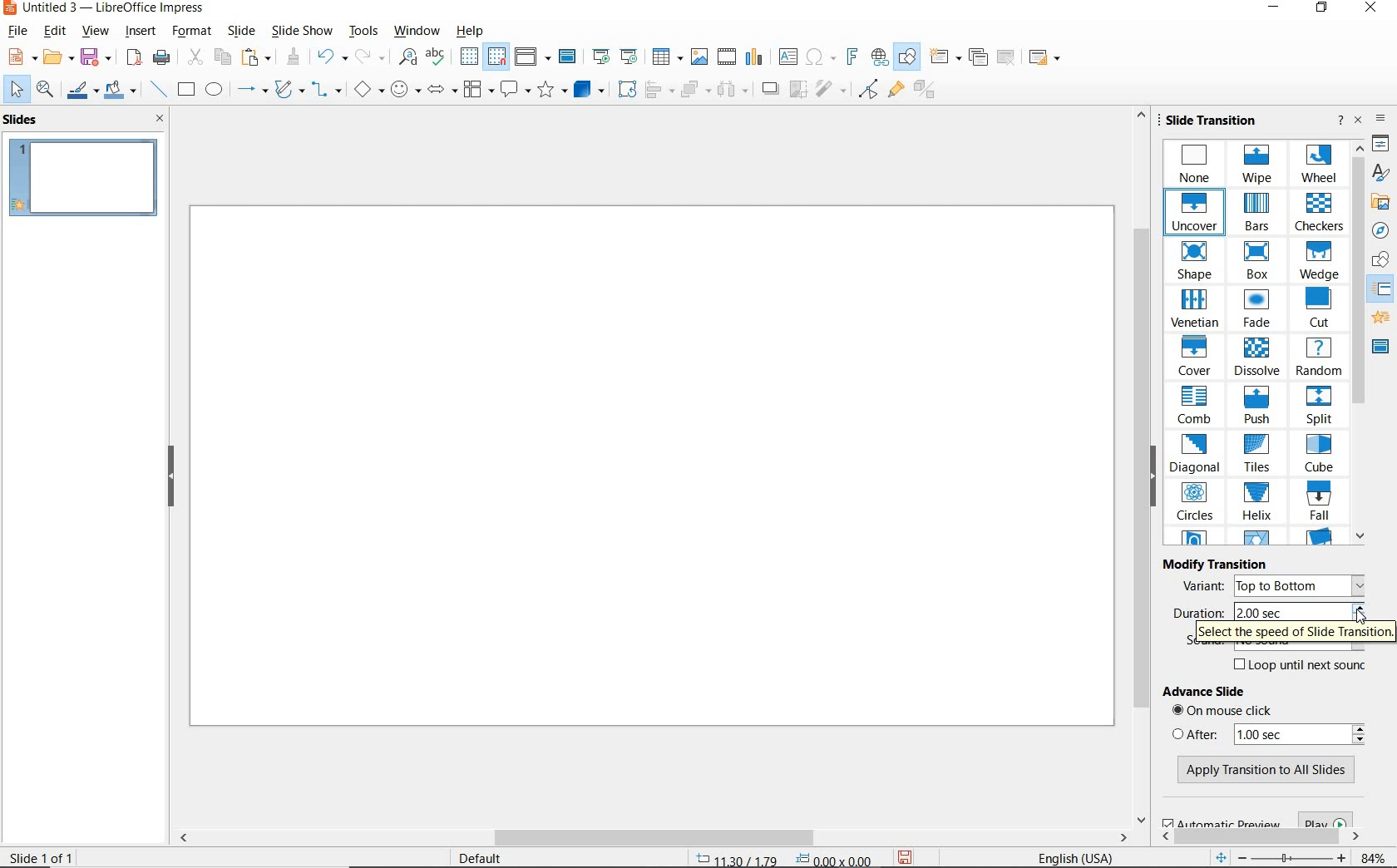 The width and height of the screenshot is (1397, 868). What do you see at coordinates (221, 55) in the screenshot?
I see `COPY` at bounding box center [221, 55].